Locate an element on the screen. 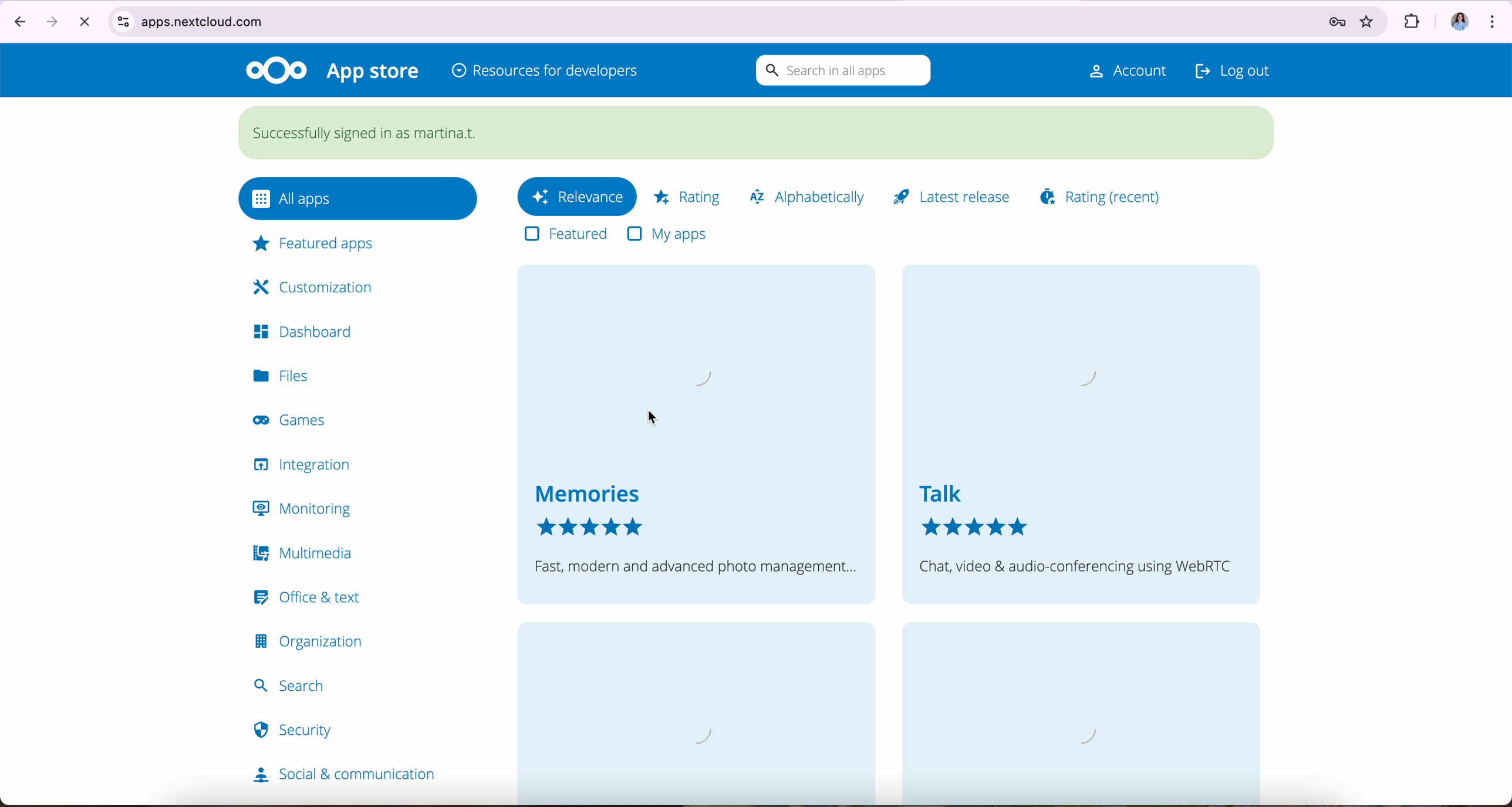  navigate arrows is located at coordinates (32, 21).